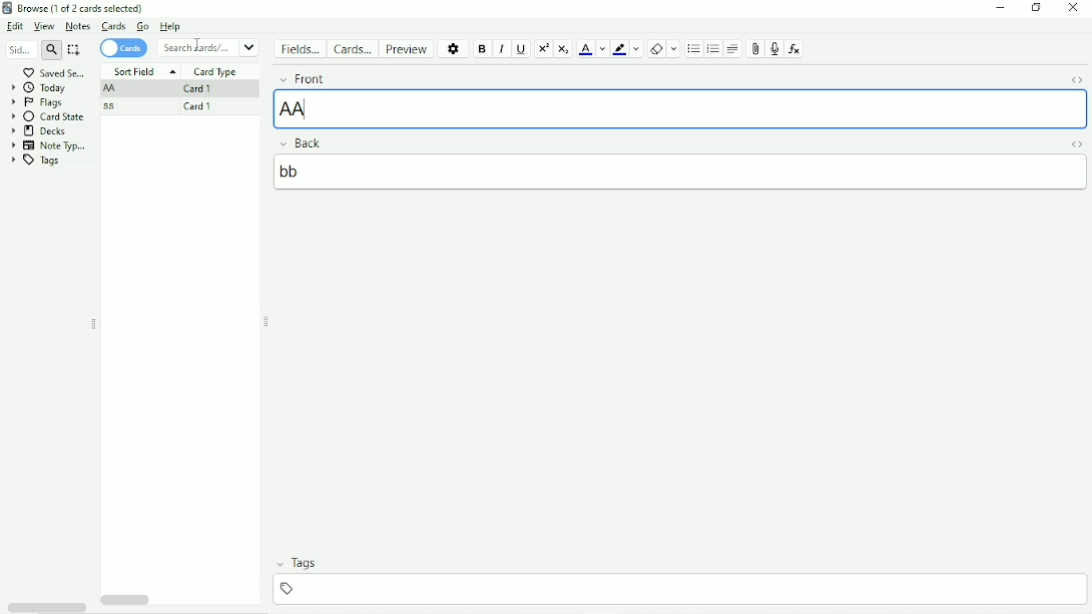  I want to click on Notes, so click(78, 26).